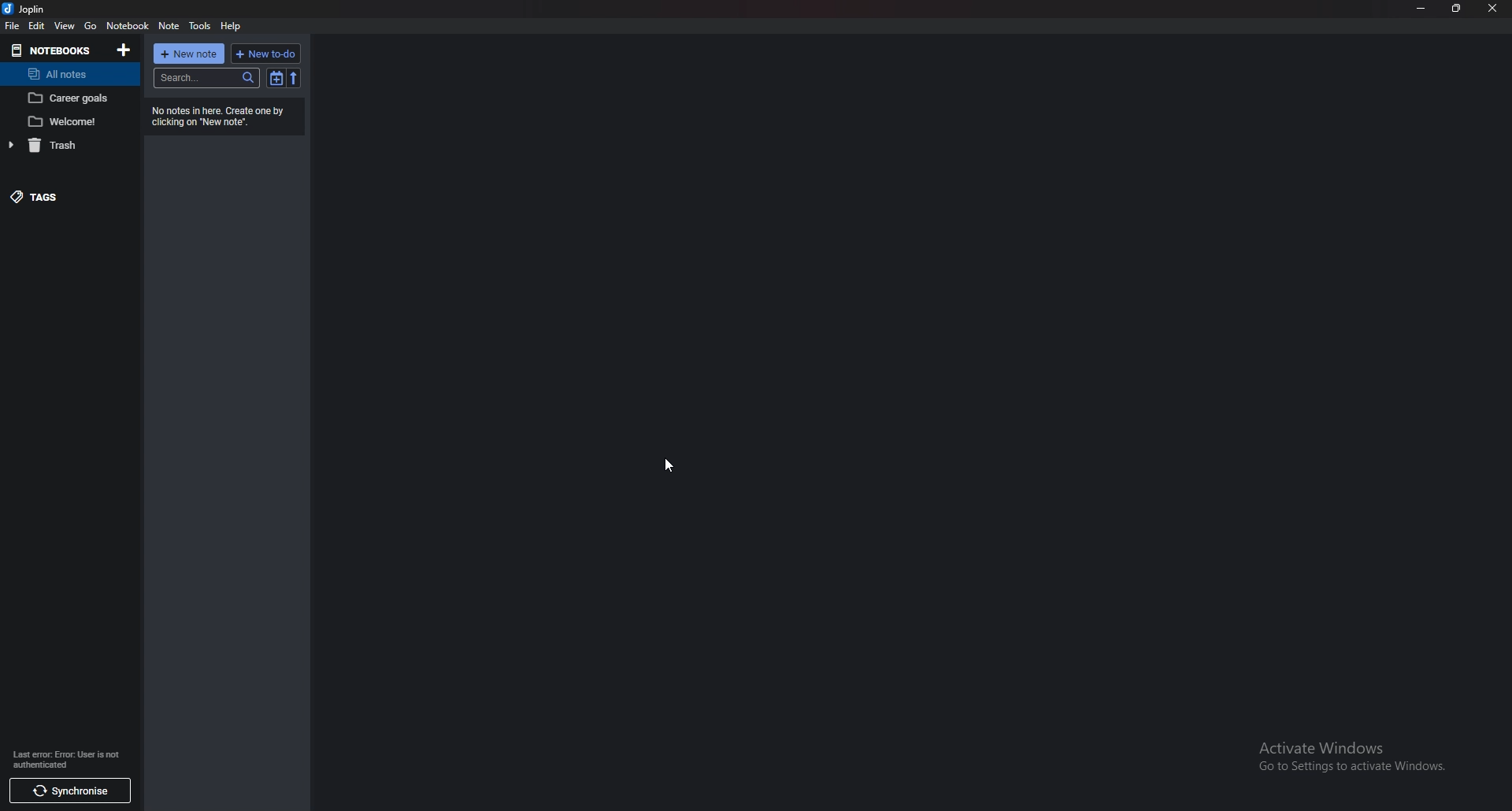  What do you see at coordinates (66, 146) in the screenshot?
I see `trash` at bounding box center [66, 146].